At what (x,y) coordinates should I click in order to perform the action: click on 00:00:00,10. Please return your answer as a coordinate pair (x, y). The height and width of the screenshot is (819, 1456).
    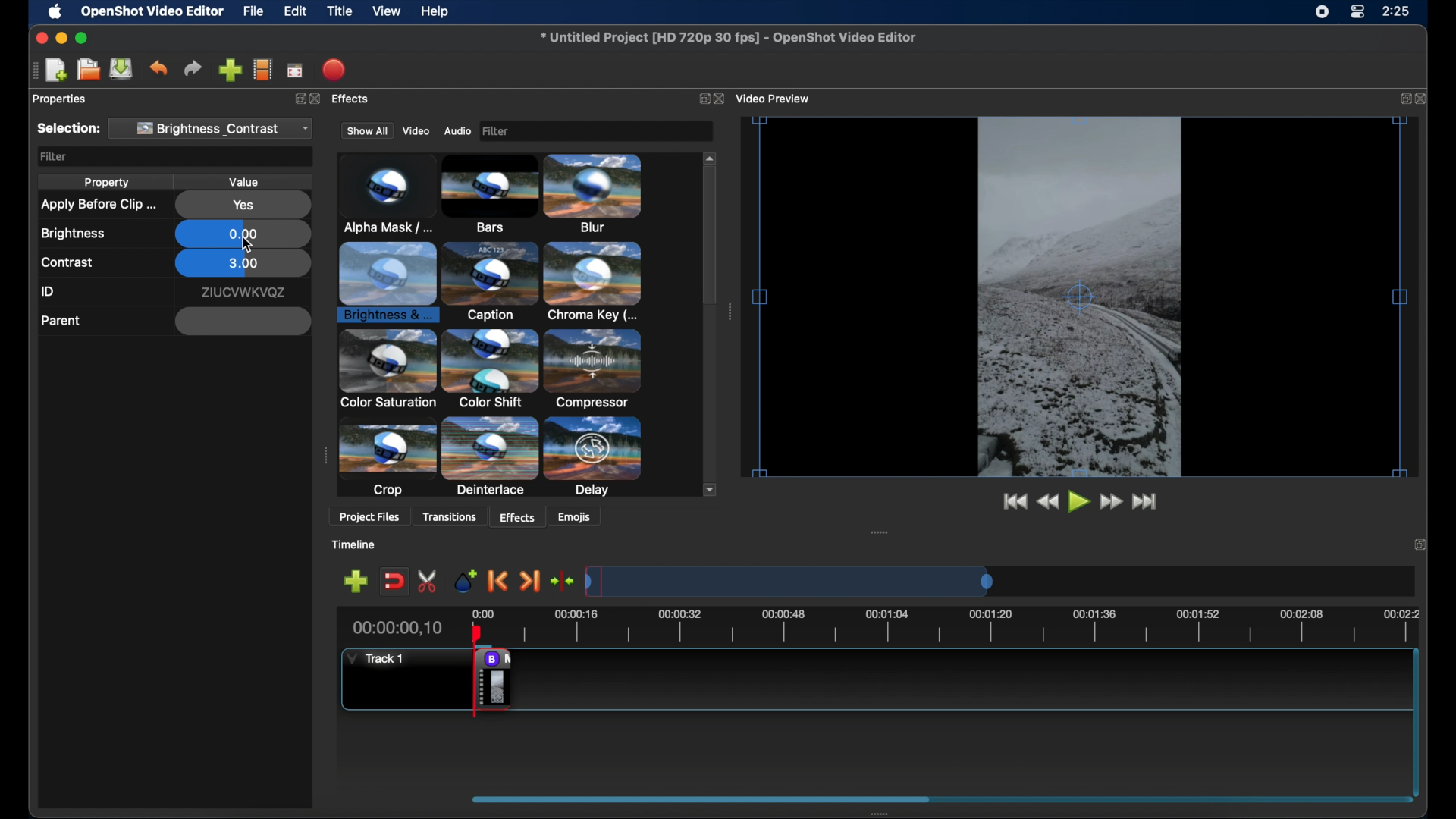
    Looking at the image, I should click on (397, 628).